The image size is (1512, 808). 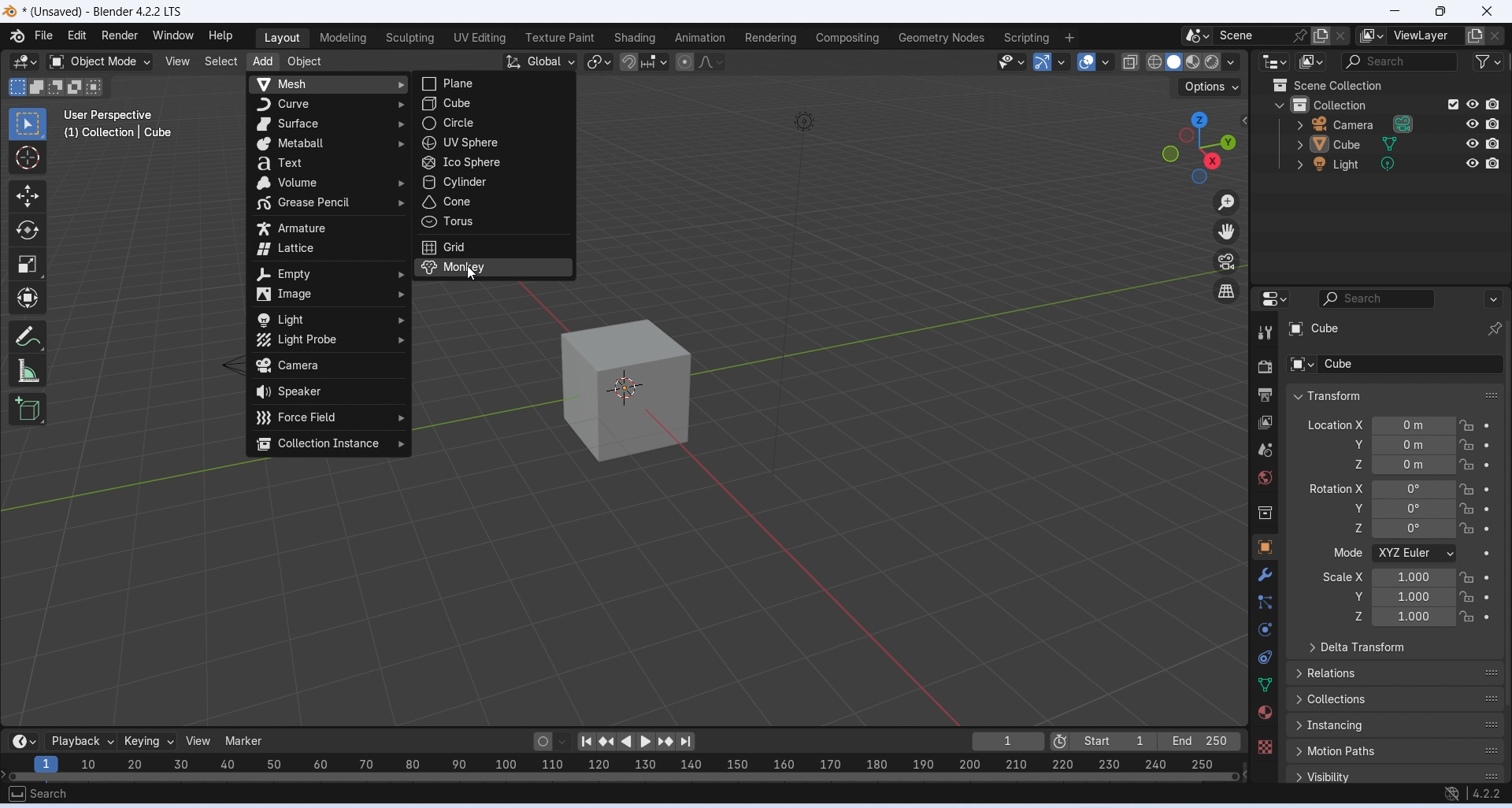 I want to click on delta transform, so click(x=1395, y=647).